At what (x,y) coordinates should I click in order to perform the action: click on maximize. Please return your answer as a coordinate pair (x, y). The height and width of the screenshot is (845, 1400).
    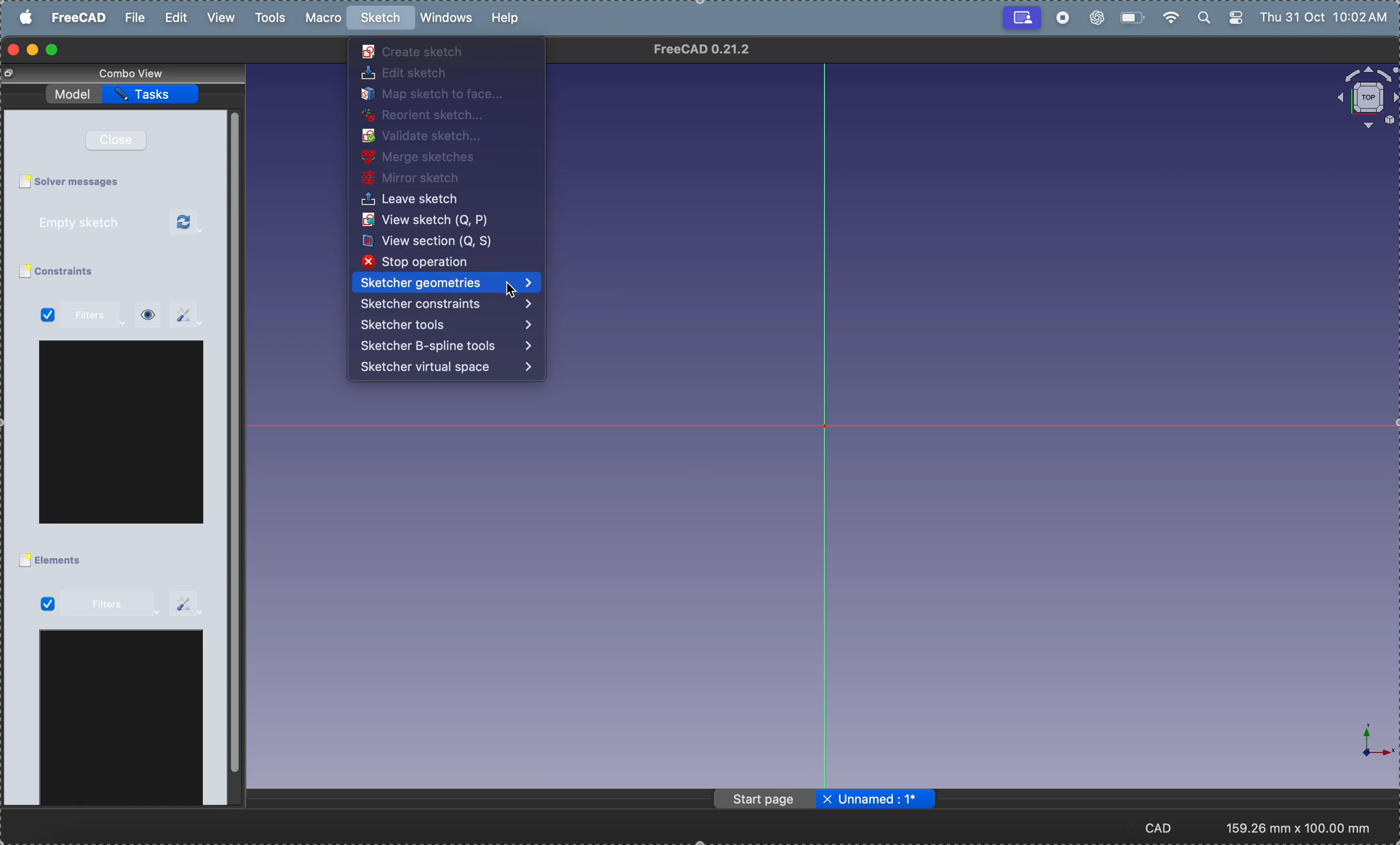
    Looking at the image, I should click on (53, 51).